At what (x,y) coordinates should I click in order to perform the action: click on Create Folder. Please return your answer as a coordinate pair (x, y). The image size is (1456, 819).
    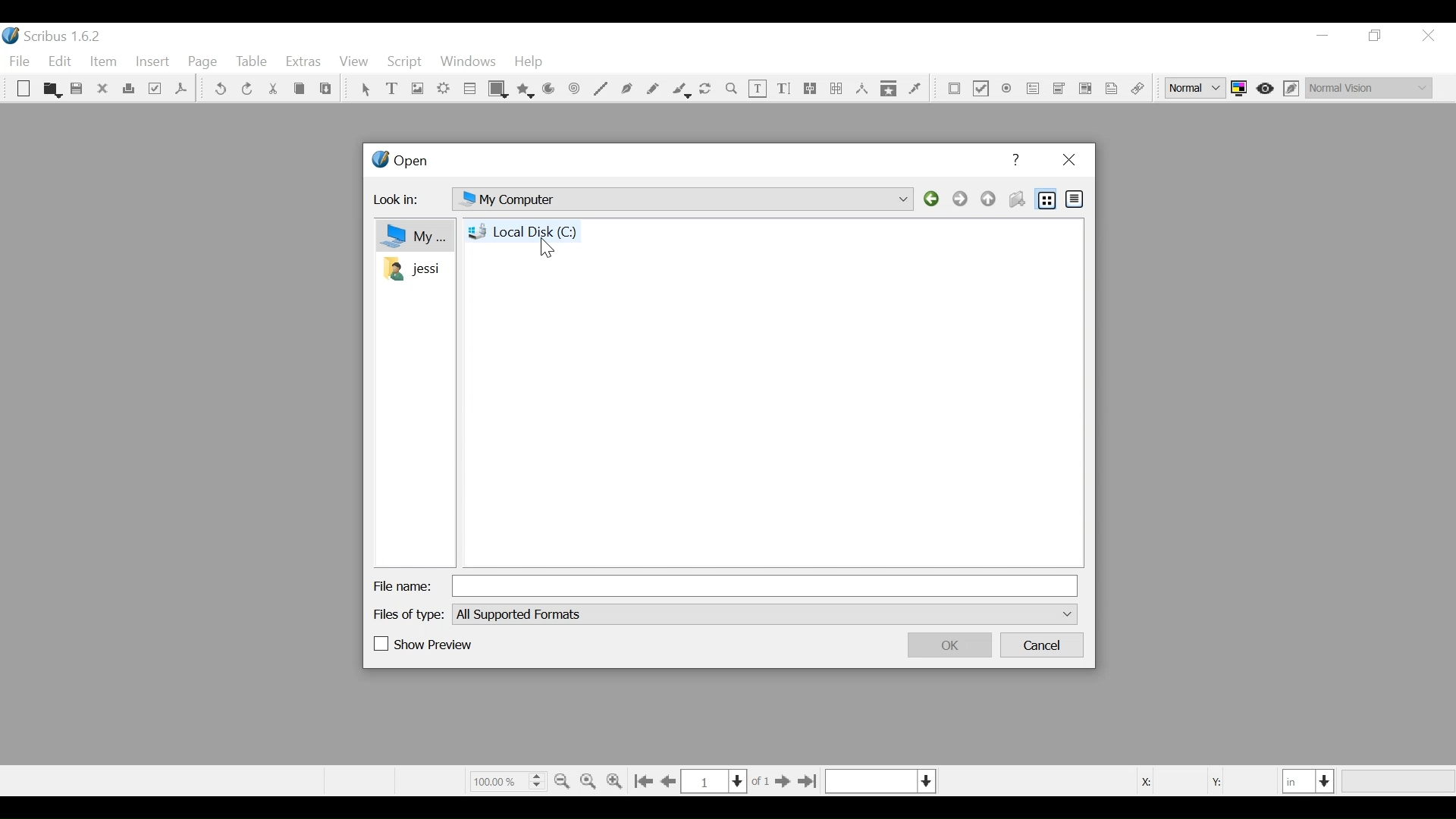
    Looking at the image, I should click on (1016, 199).